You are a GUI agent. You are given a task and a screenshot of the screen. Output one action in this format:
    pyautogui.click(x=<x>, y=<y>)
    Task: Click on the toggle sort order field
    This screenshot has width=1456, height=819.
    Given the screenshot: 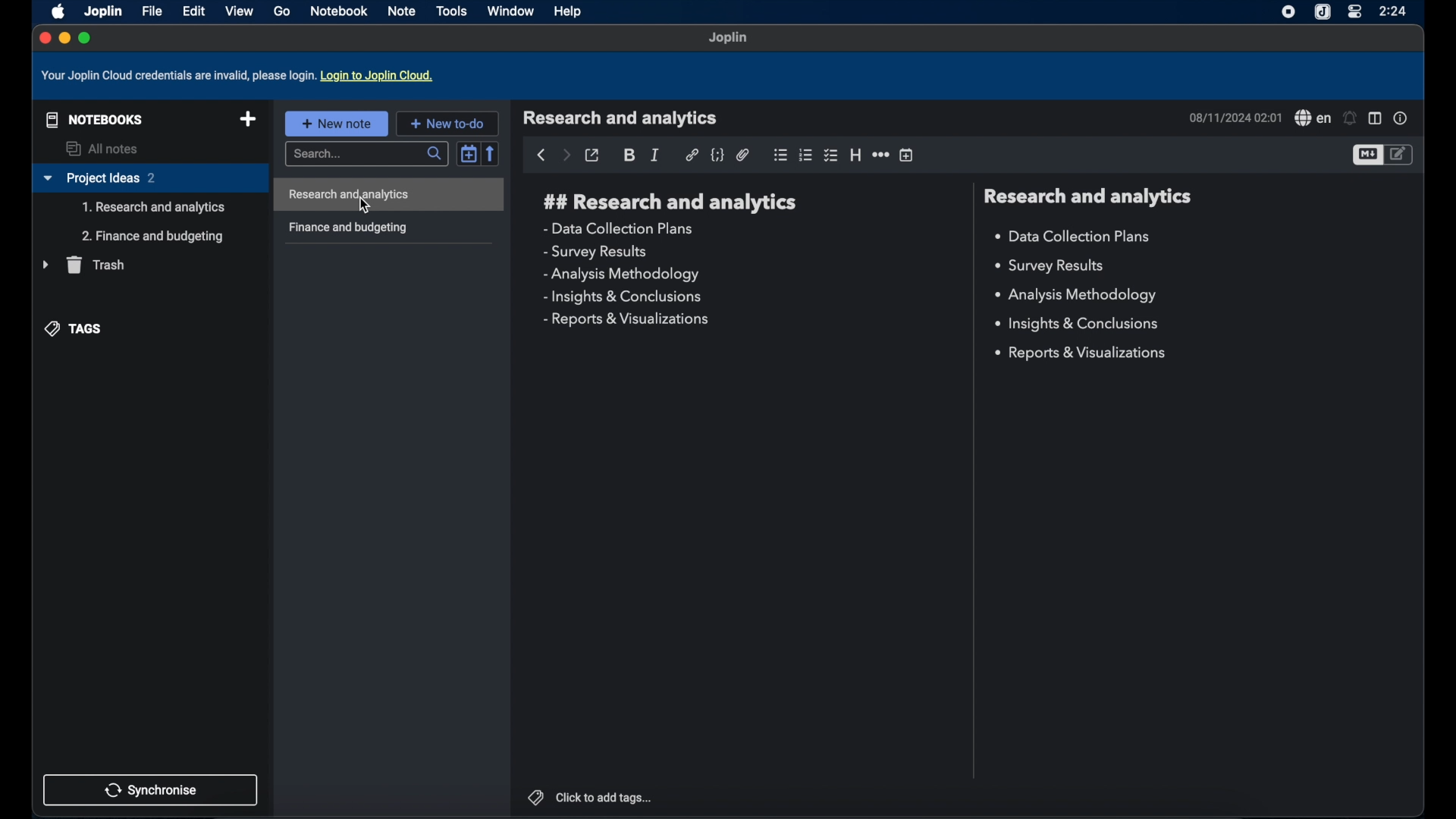 What is the action you would take?
    pyautogui.click(x=469, y=152)
    